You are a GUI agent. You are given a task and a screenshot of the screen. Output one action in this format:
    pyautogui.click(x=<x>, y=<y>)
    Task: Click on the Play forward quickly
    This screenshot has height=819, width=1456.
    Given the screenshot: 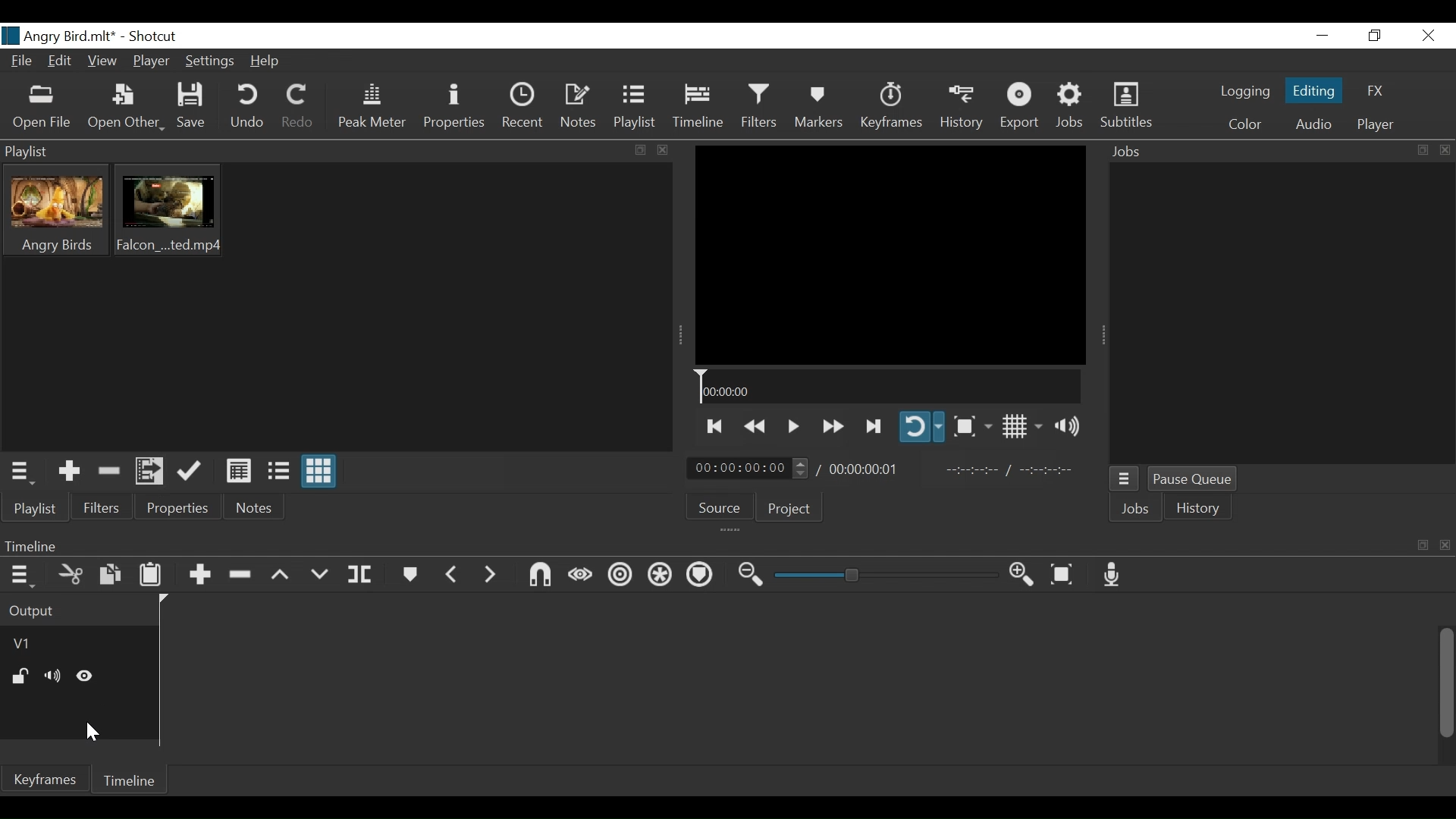 What is the action you would take?
    pyautogui.click(x=833, y=427)
    